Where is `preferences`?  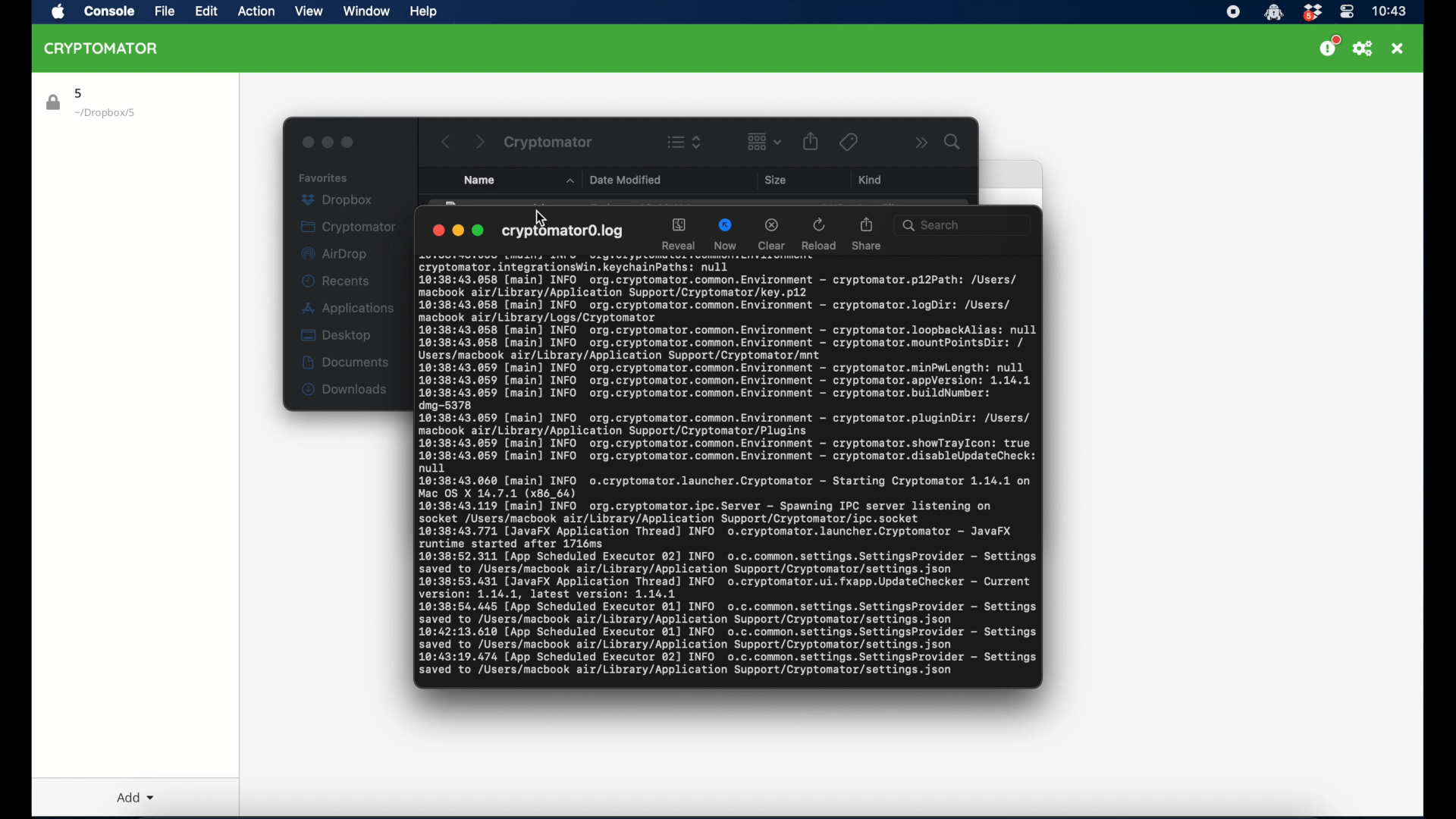 preferences is located at coordinates (1363, 51).